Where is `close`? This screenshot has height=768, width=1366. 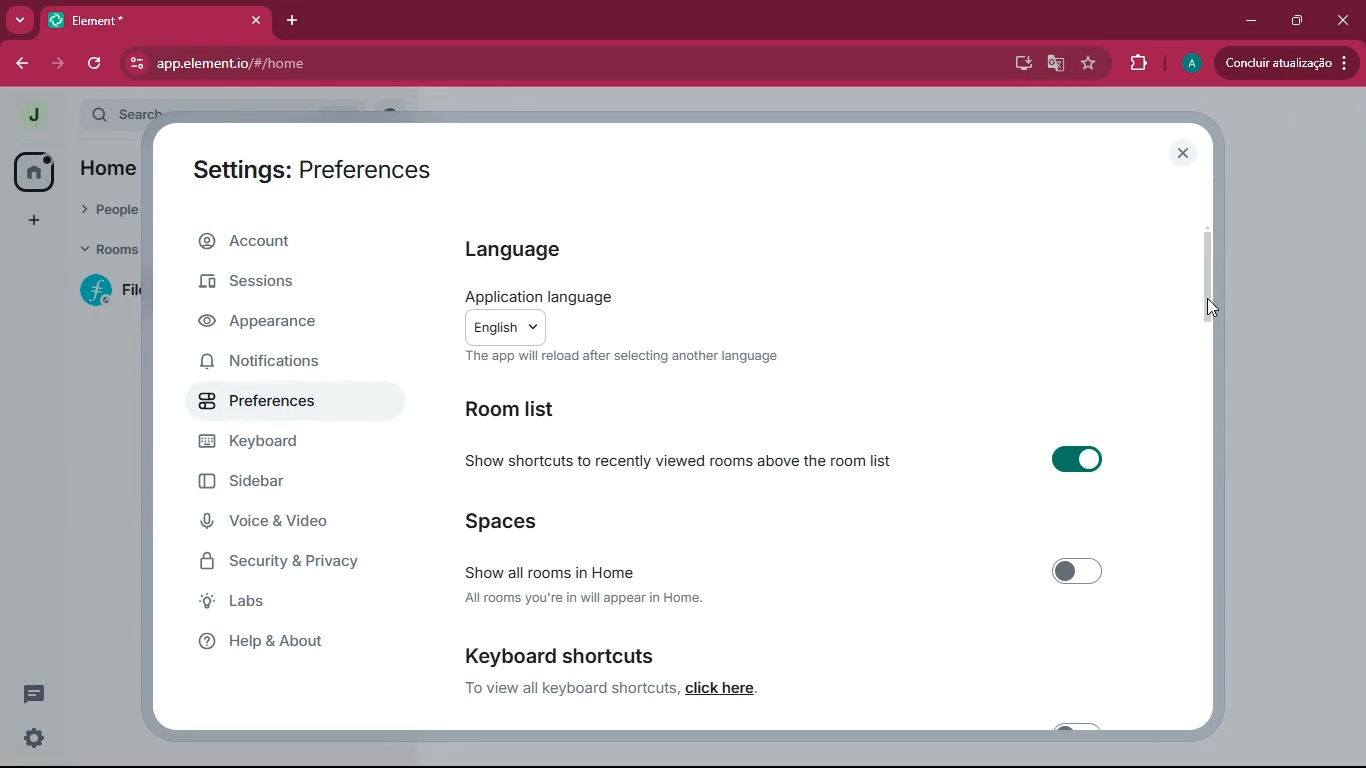 close is located at coordinates (1185, 153).